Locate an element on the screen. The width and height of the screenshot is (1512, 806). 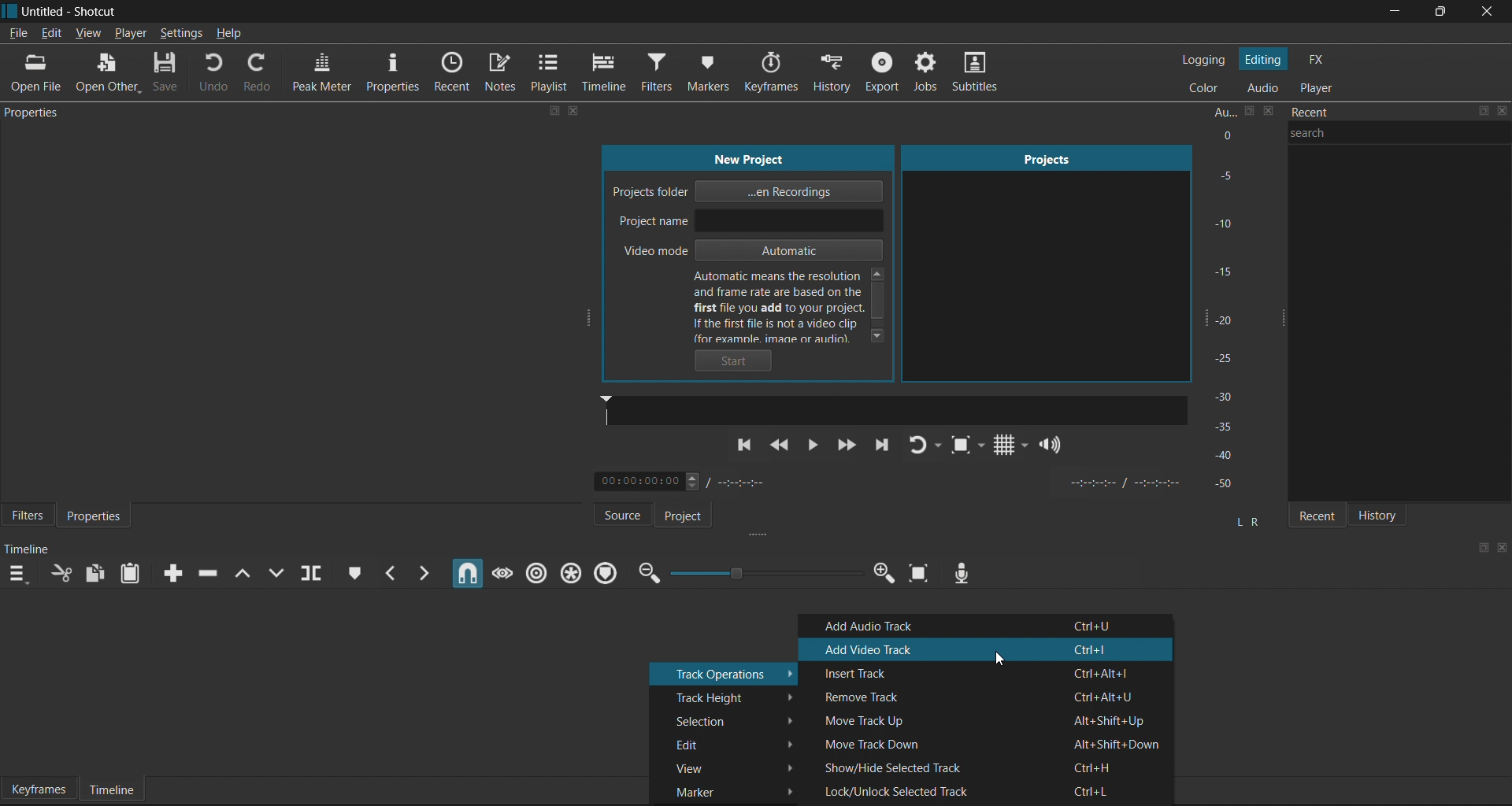
Edit is located at coordinates (51, 34).